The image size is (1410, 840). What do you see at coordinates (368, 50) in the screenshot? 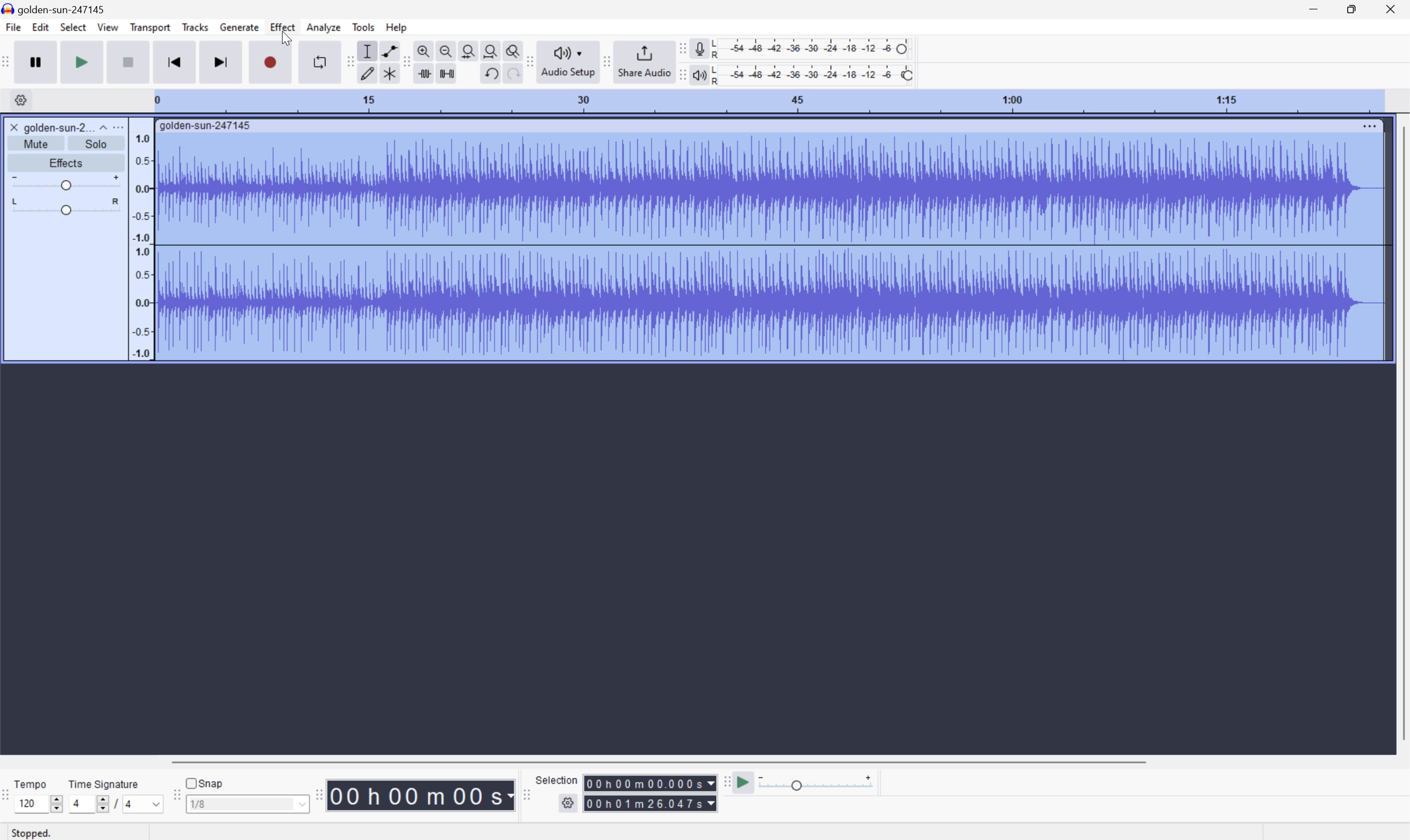
I see `Selection Tool` at bounding box center [368, 50].